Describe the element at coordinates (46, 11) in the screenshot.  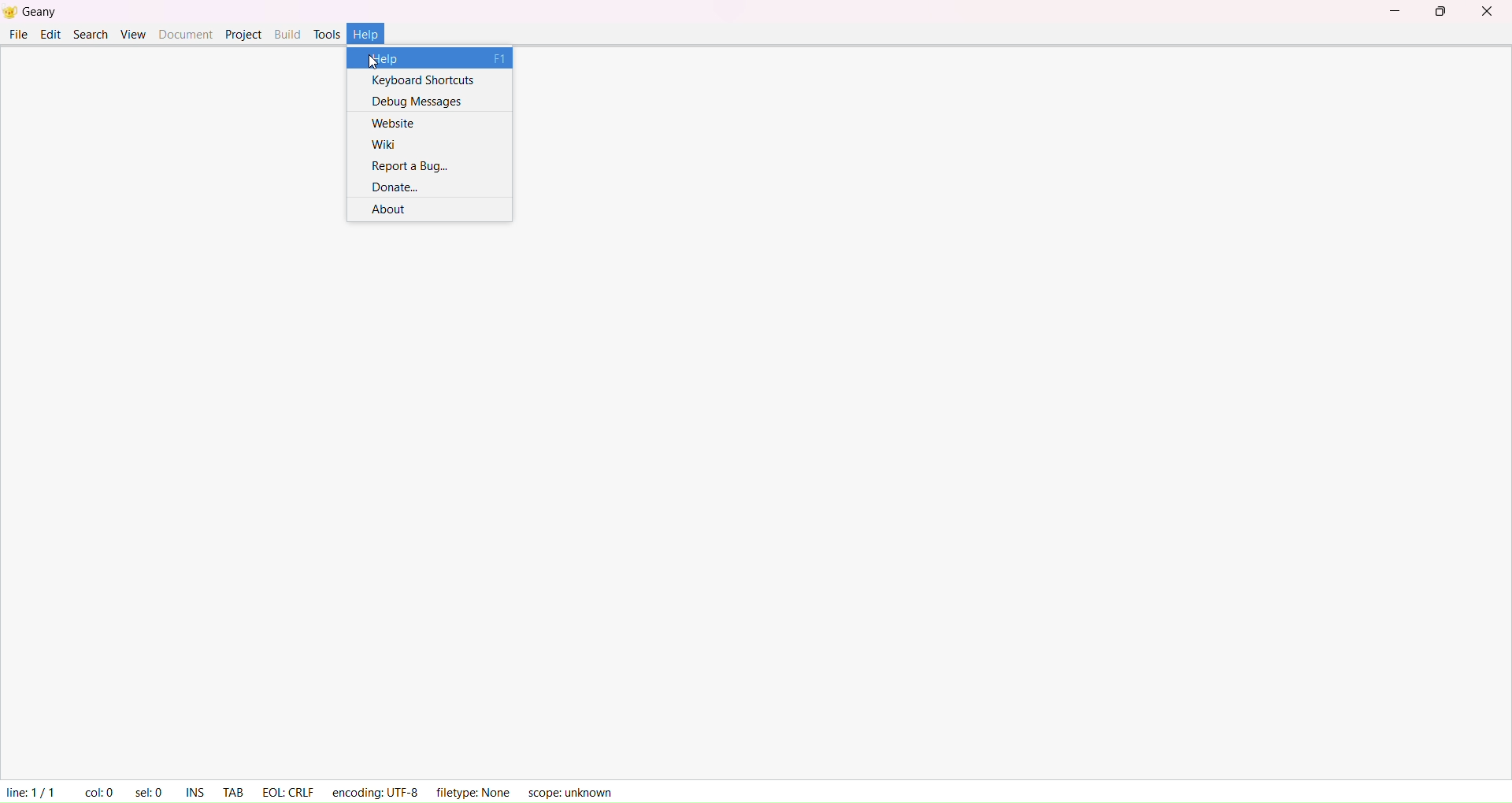
I see `title` at that location.